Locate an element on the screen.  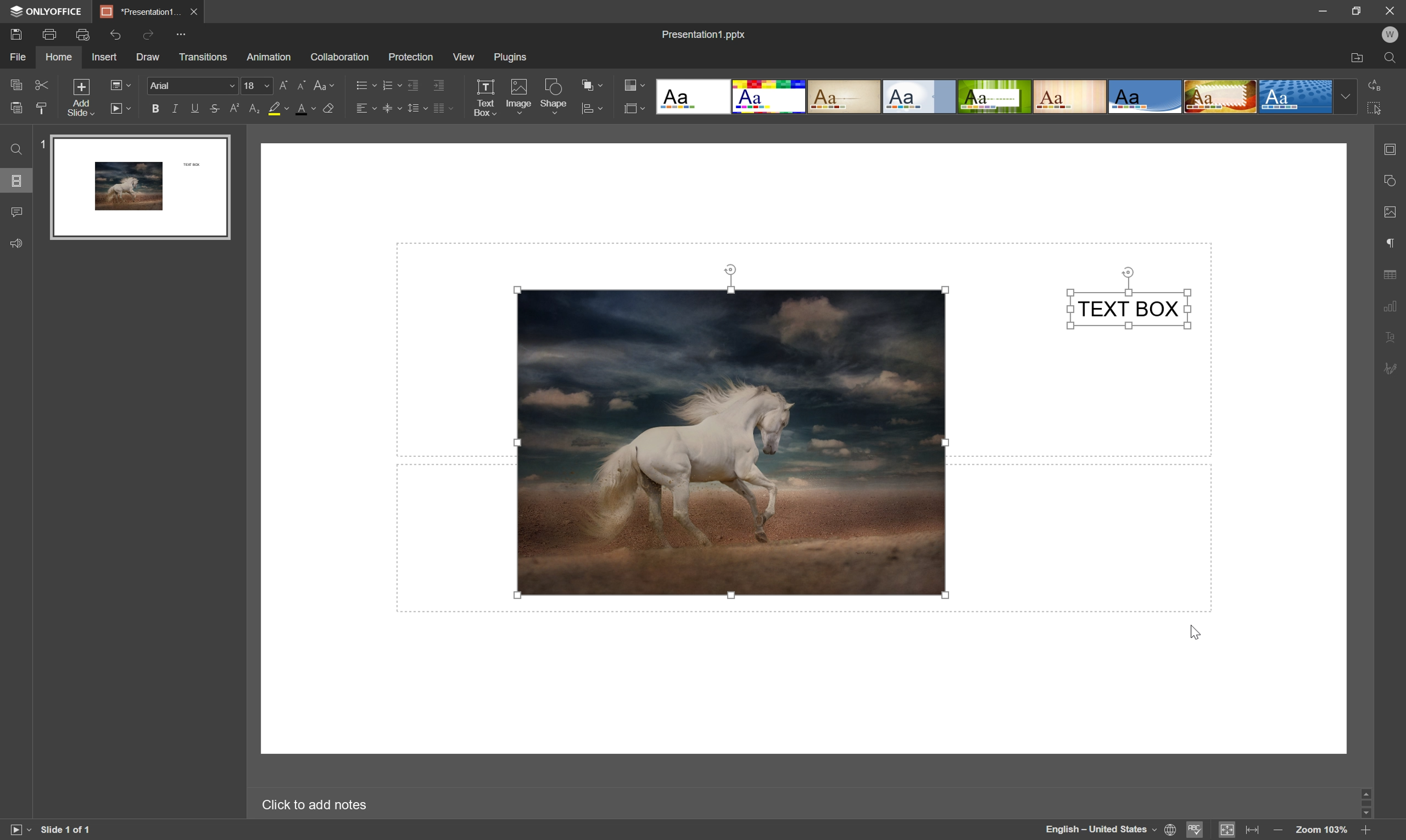
find is located at coordinates (1392, 59).